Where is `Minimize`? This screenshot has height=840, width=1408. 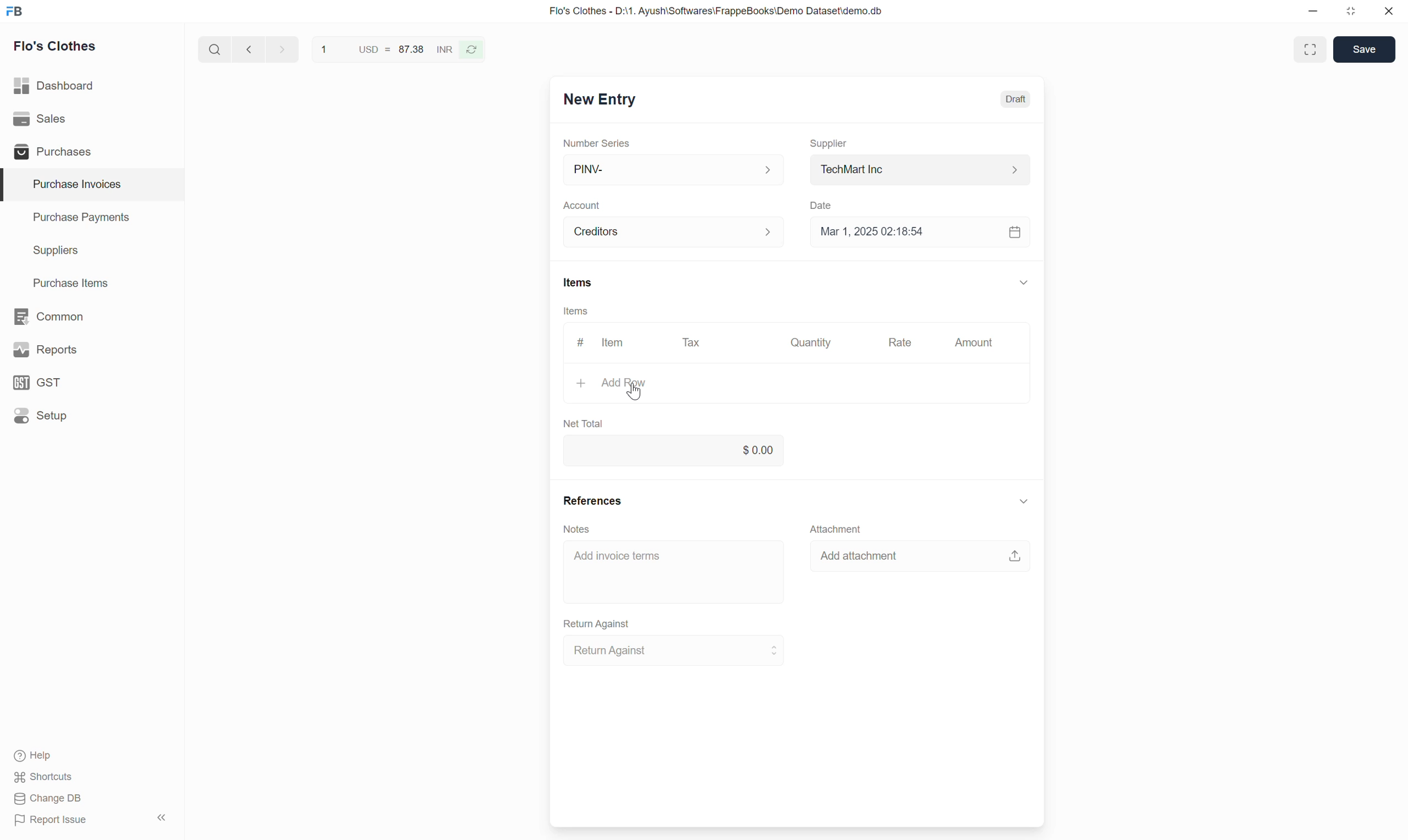
Minimize is located at coordinates (1313, 11).